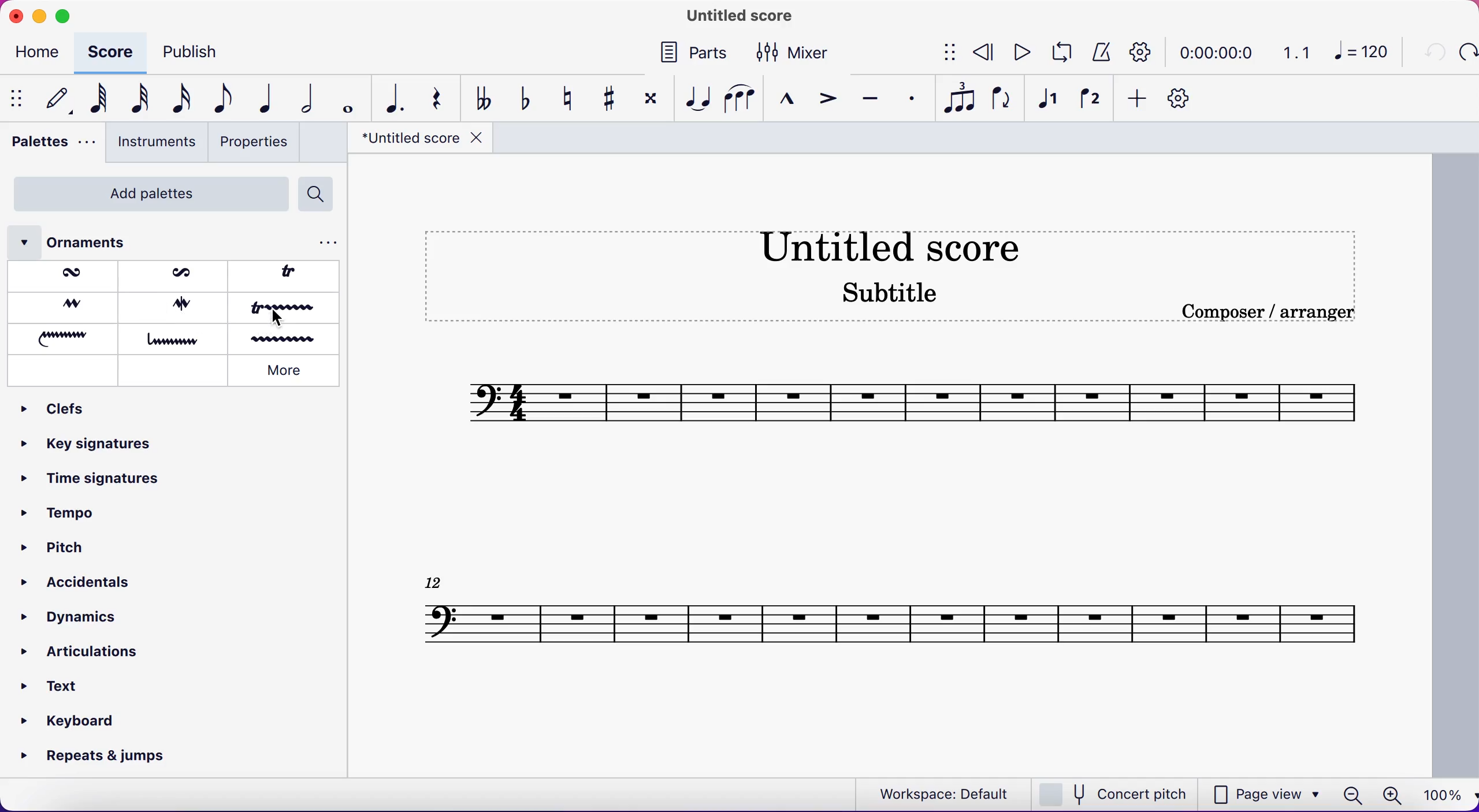 Image resolution: width=1479 pixels, height=812 pixels. Describe the element at coordinates (958, 100) in the screenshot. I see `tuples` at that location.